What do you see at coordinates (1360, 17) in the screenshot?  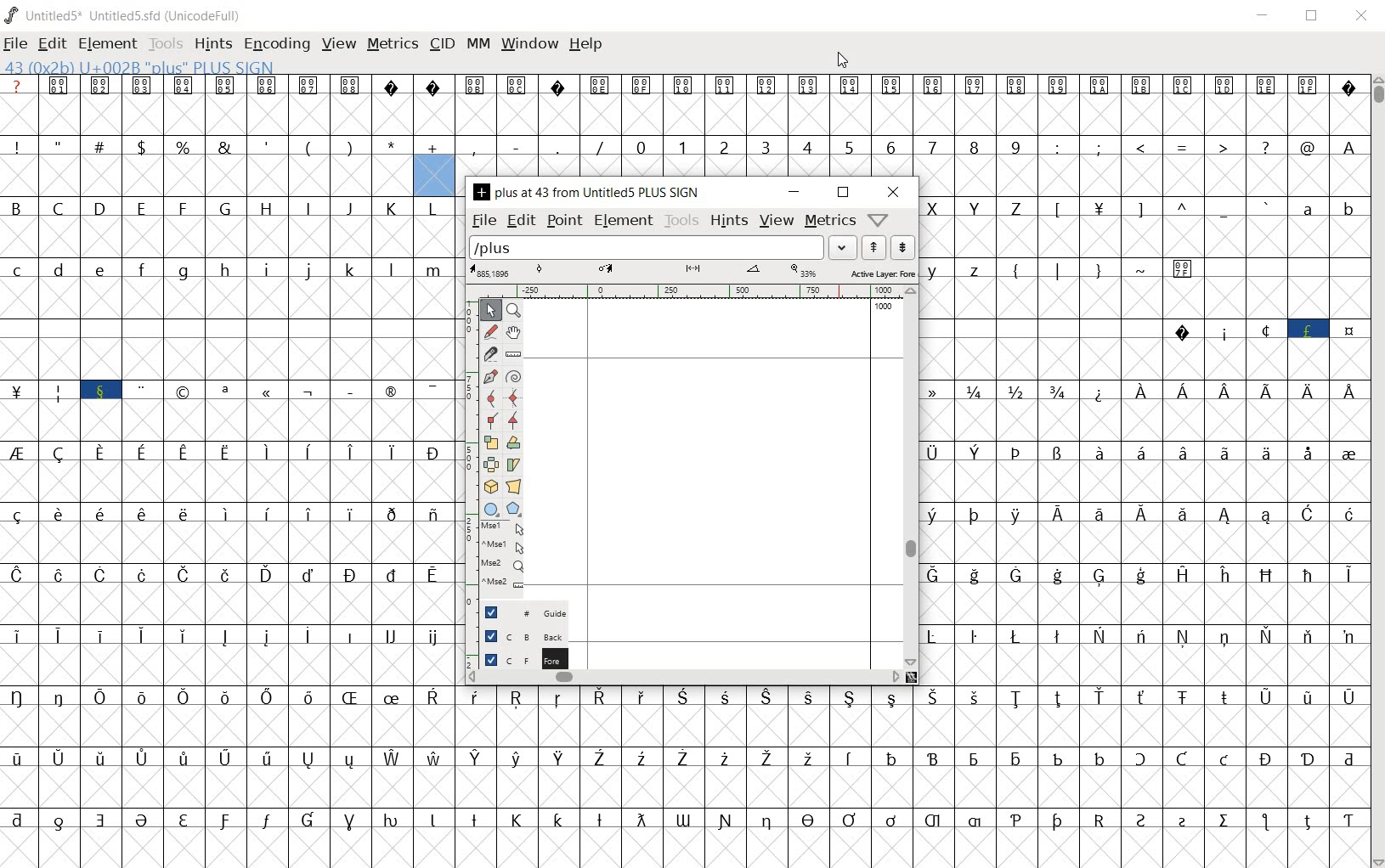 I see `close` at bounding box center [1360, 17].